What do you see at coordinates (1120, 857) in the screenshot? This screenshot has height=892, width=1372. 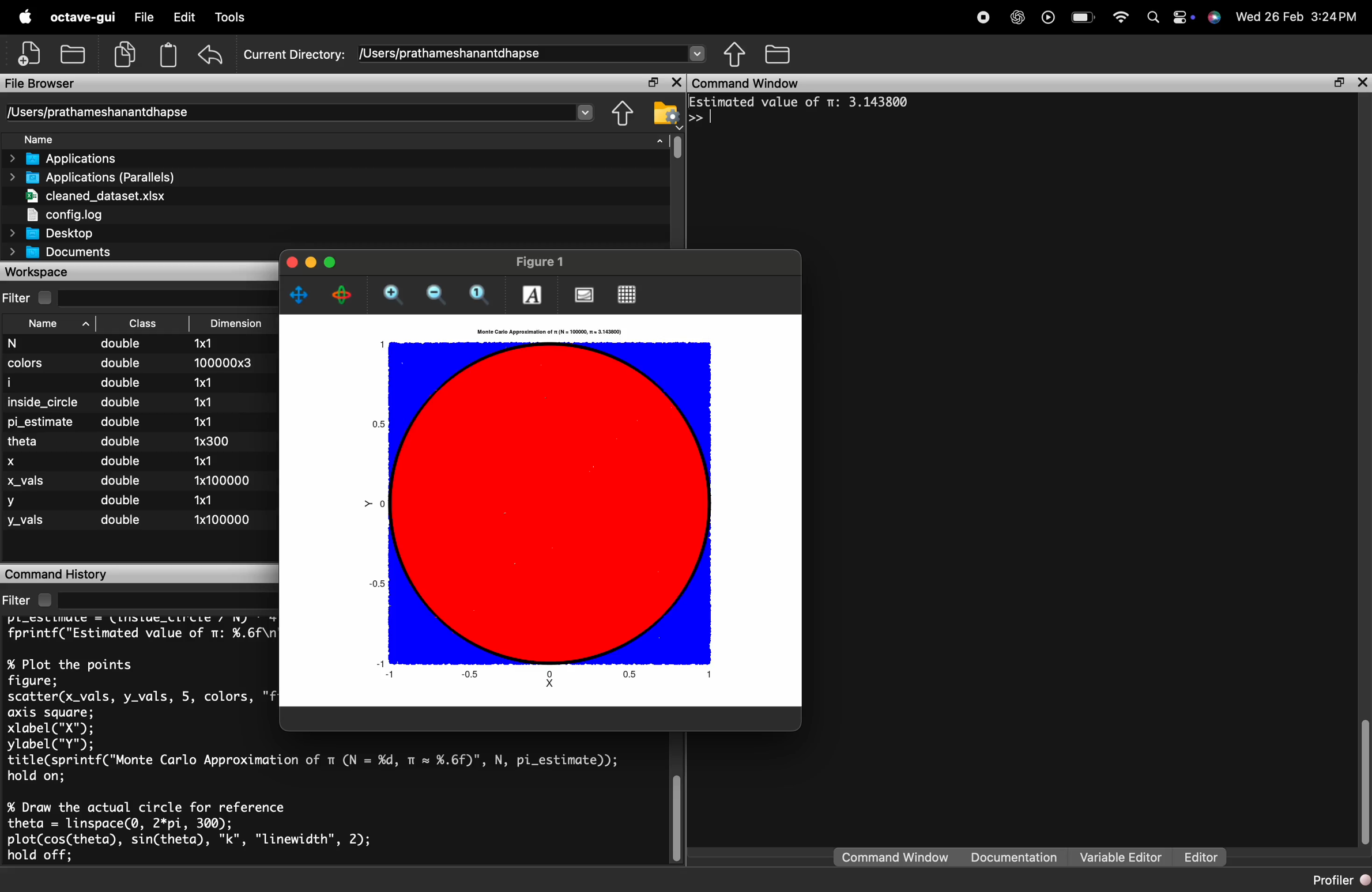 I see `Variable Editor` at bounding box center [1120, 857].